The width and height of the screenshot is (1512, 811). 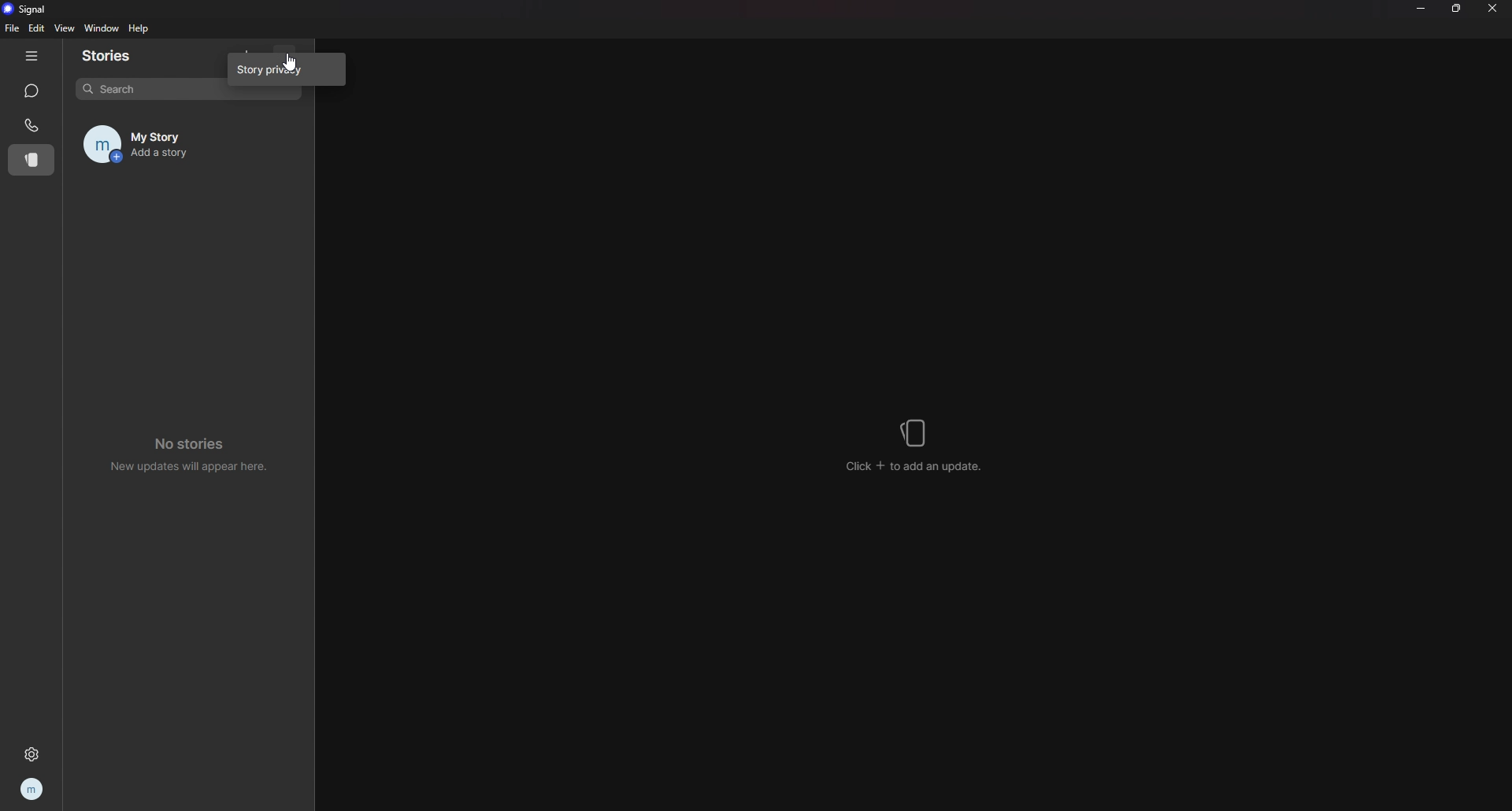 What do you see at coordinates (117, 56) in the screenshot?
I see `stories` at bounding box center [117, 56].